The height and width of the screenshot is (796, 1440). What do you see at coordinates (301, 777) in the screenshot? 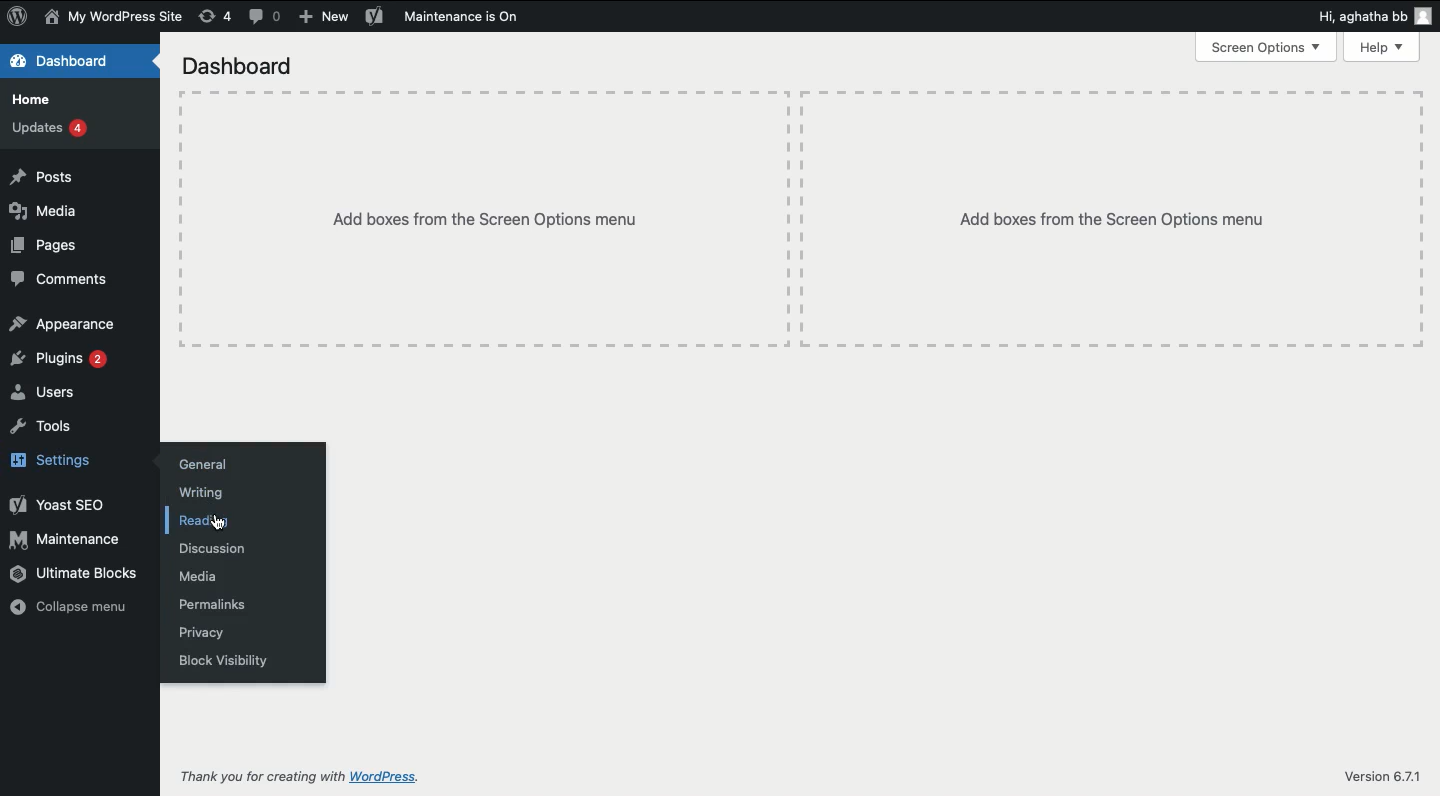
I see `thank you for creating with wordpress` at bounding box center [301, 777].